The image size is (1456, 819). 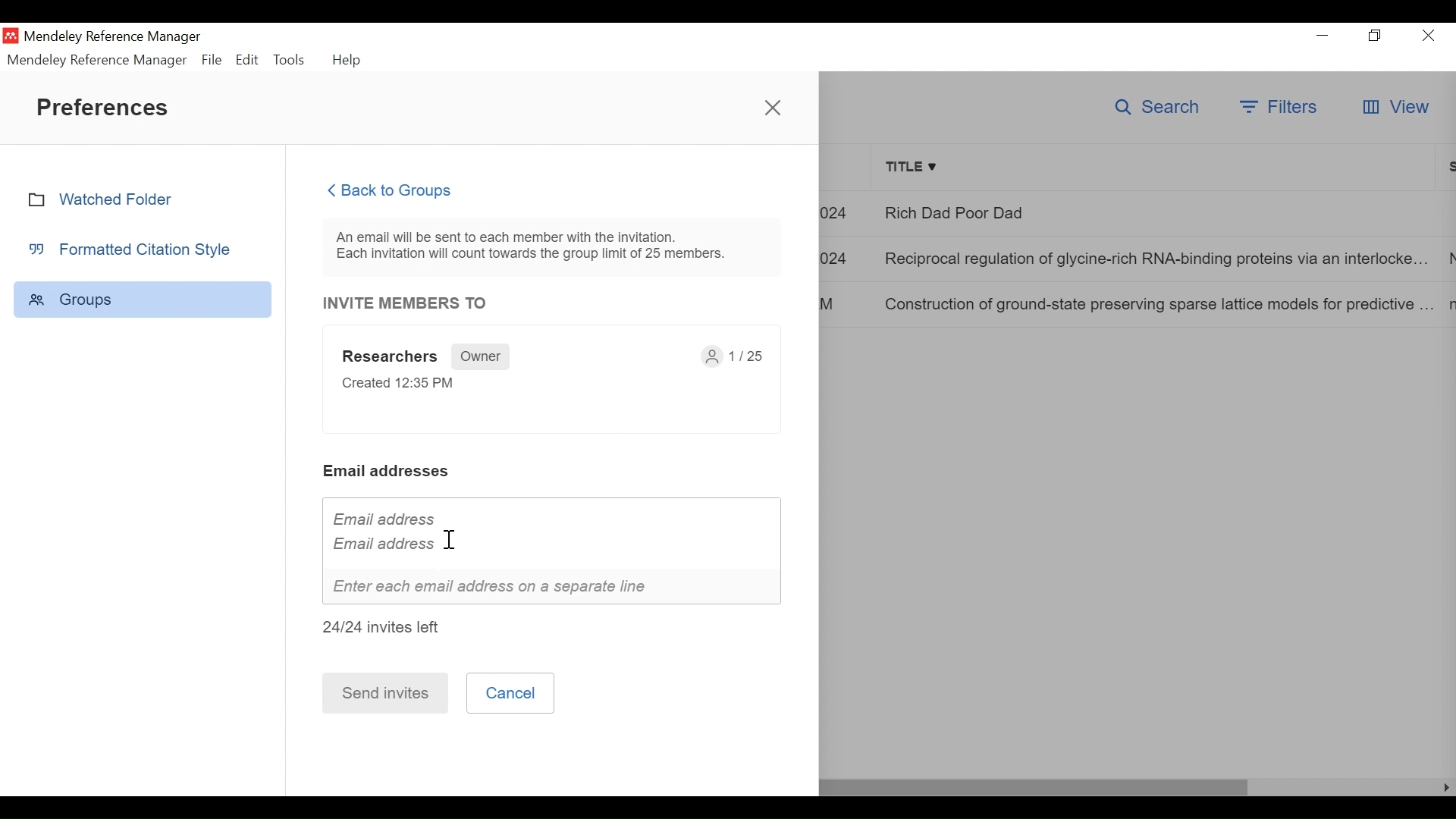 What do you see at coordinates (1323, 33) in the screenshot?
I see `minimize` at bounding box center [1323, 33].